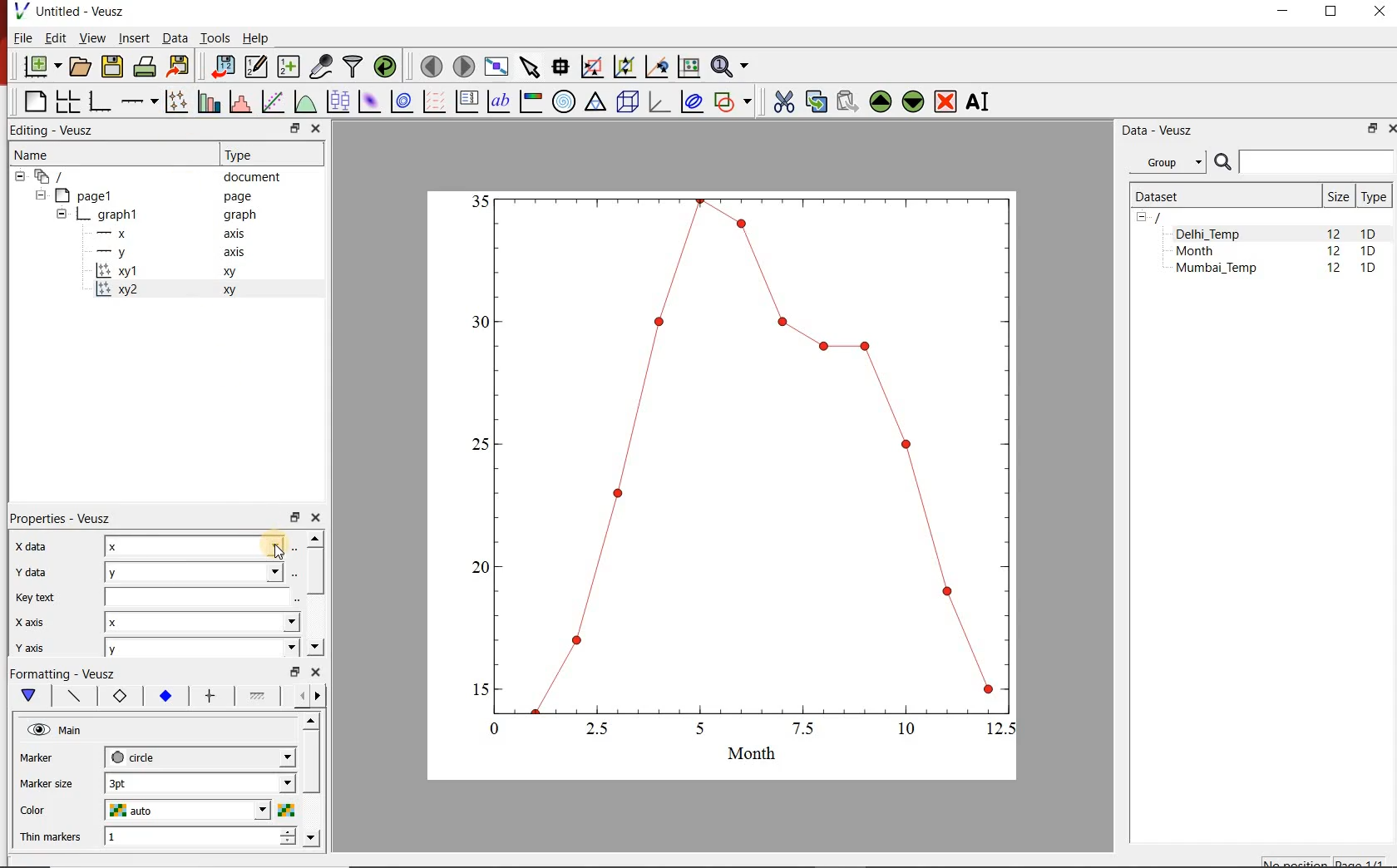  I want to click on Formatting - Veusz, so click(67, 673).